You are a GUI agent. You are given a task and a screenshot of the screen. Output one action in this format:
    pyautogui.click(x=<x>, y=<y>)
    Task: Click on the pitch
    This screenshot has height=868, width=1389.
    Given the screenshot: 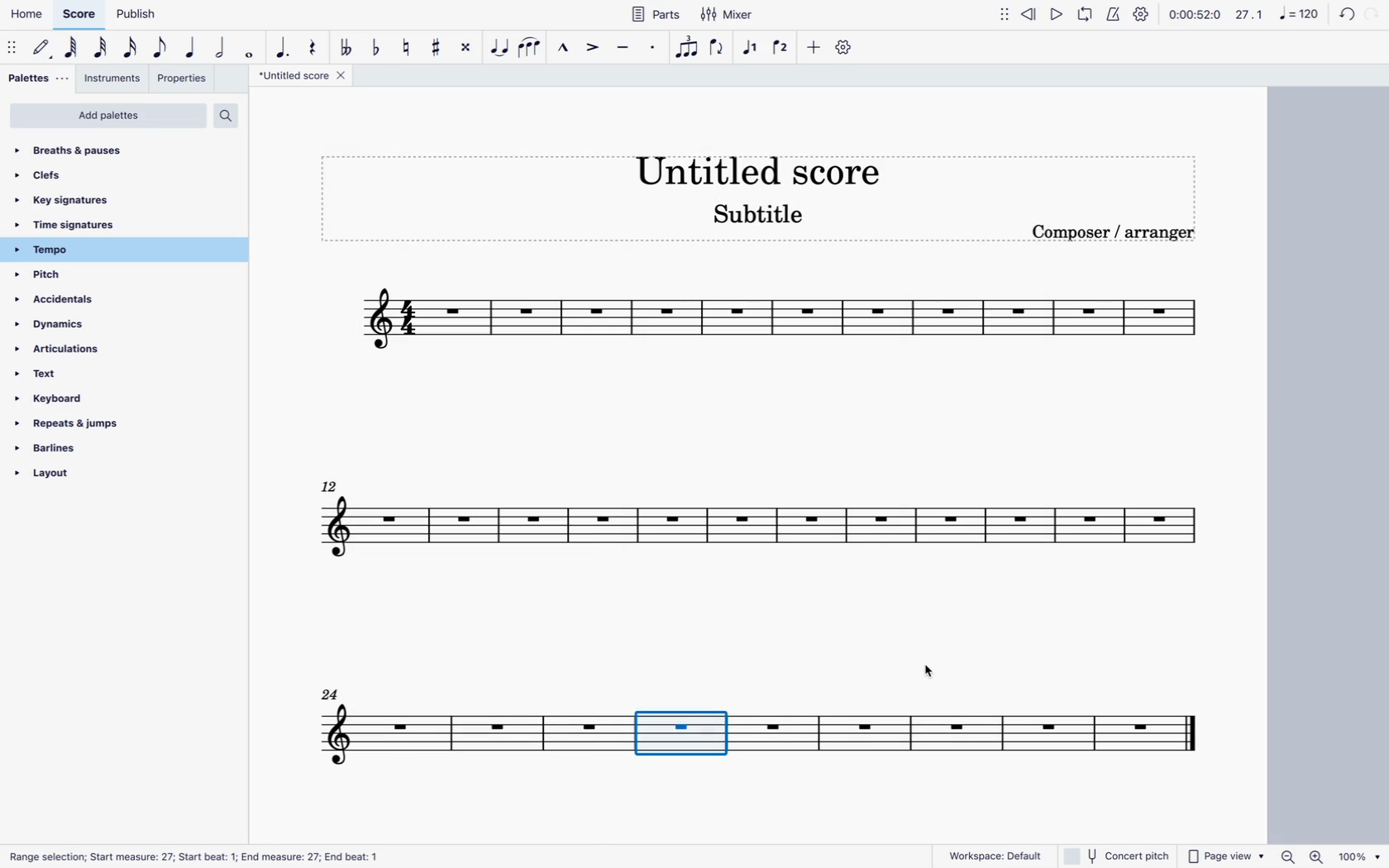 What is the action you would take?
    pyautogui.click(x=64, y=276)
    